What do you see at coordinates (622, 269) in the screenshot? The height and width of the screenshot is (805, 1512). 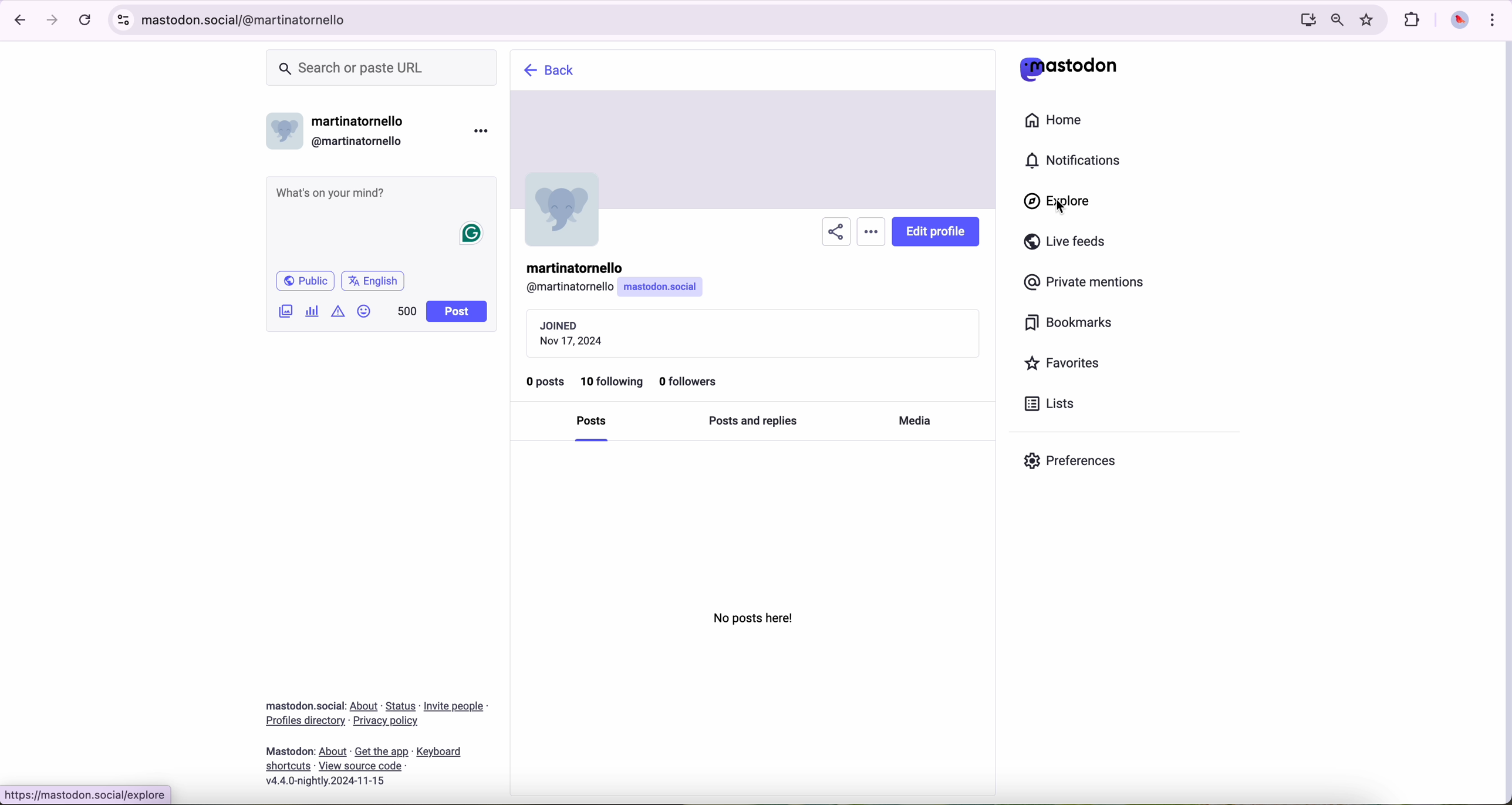 I see `user` at bounding box center [622, 269].